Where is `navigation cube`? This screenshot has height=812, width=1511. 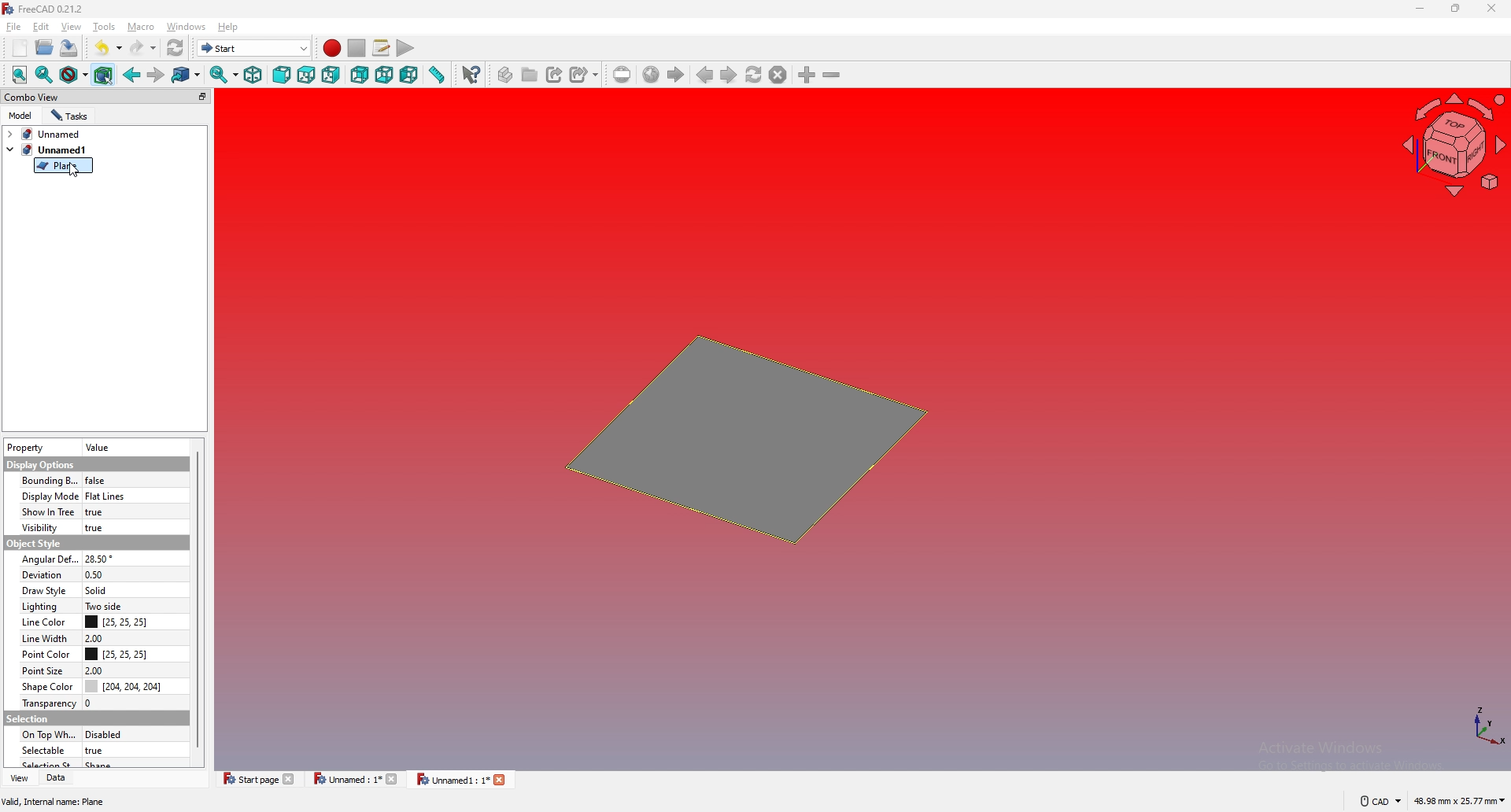
navigation cube is located at coordinates (1452, 146).